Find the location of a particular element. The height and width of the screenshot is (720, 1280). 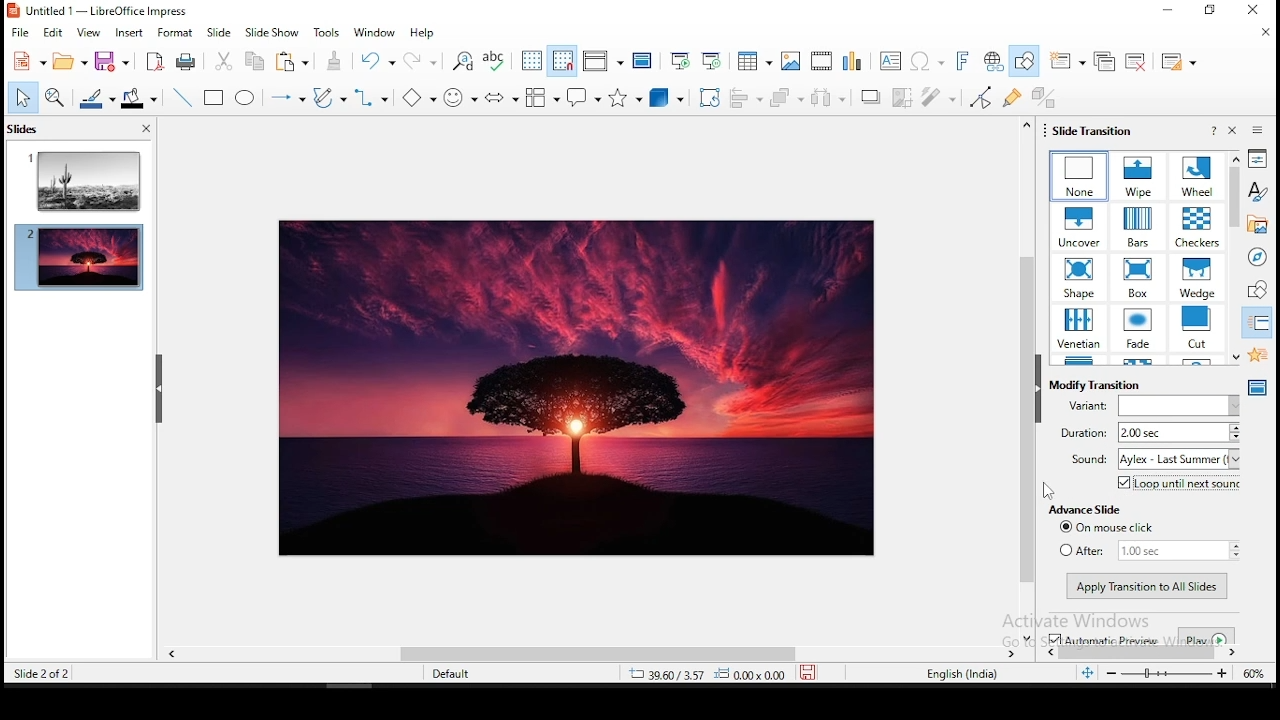

toggle point edit mode is located at coordinates (982, 97).